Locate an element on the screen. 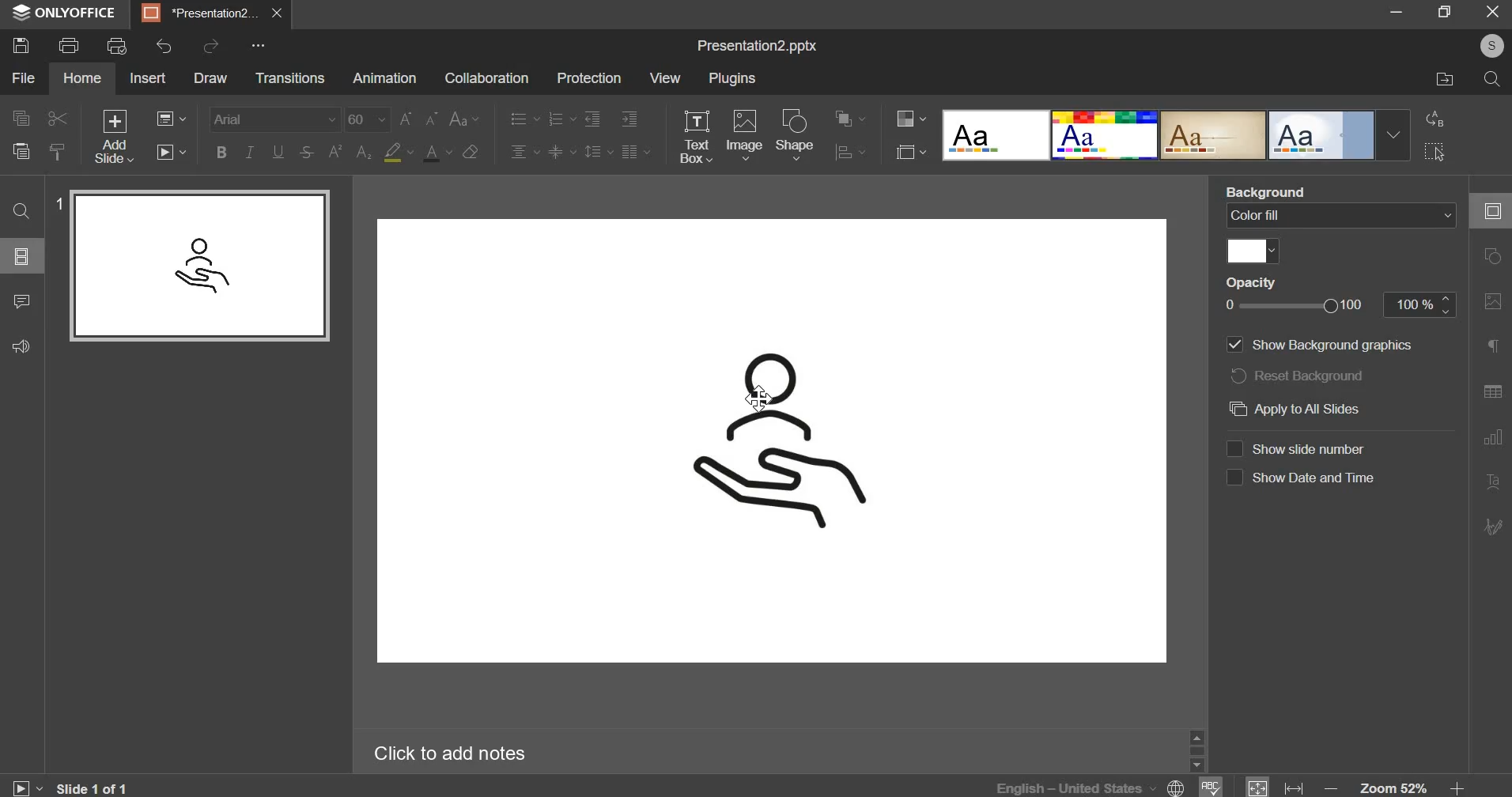 Image resolution: width=1512 pixels, height=797 pixels. vertical slider is located at coordinates (1196, 750).